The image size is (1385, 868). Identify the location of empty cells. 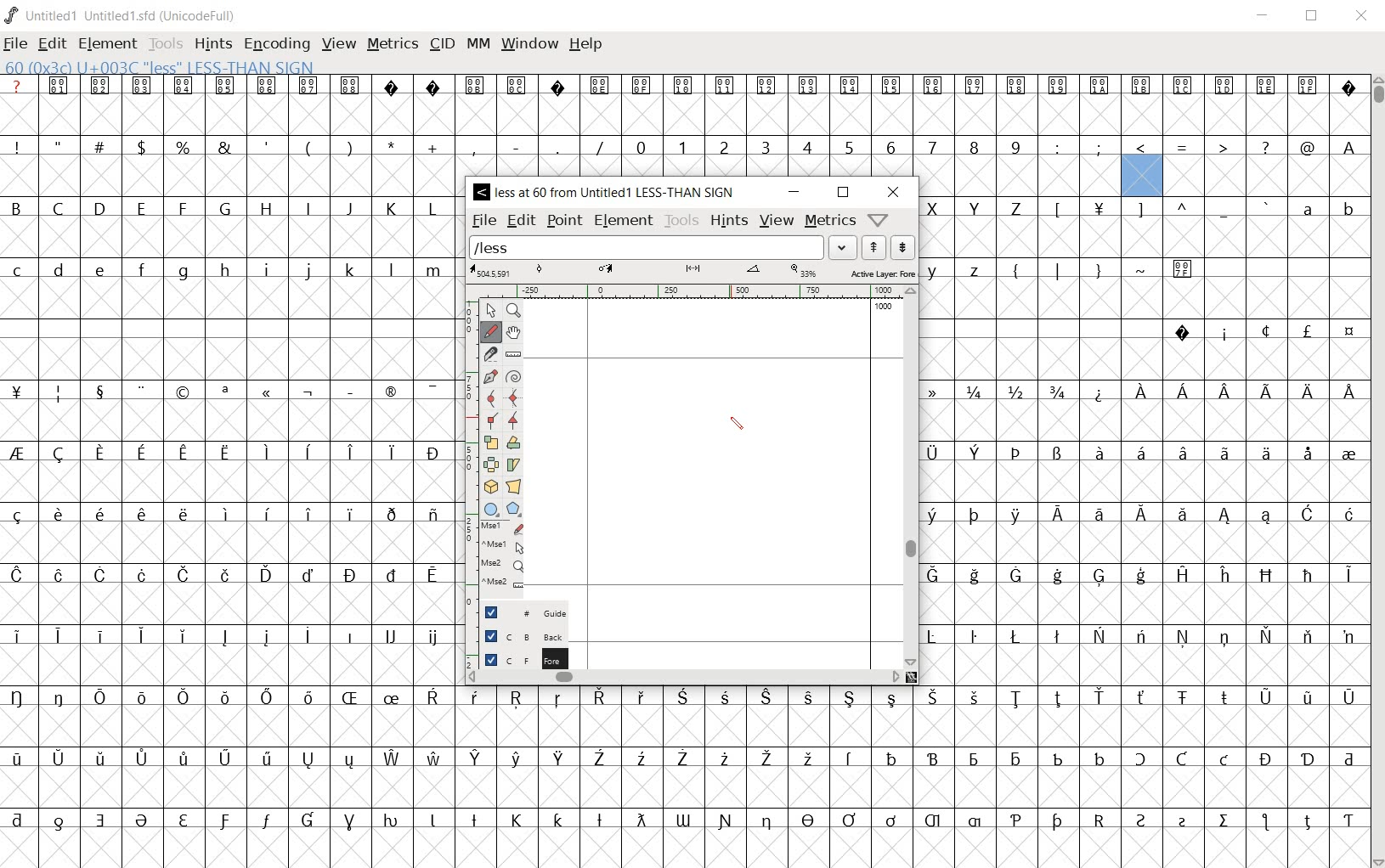
(1136, 420).